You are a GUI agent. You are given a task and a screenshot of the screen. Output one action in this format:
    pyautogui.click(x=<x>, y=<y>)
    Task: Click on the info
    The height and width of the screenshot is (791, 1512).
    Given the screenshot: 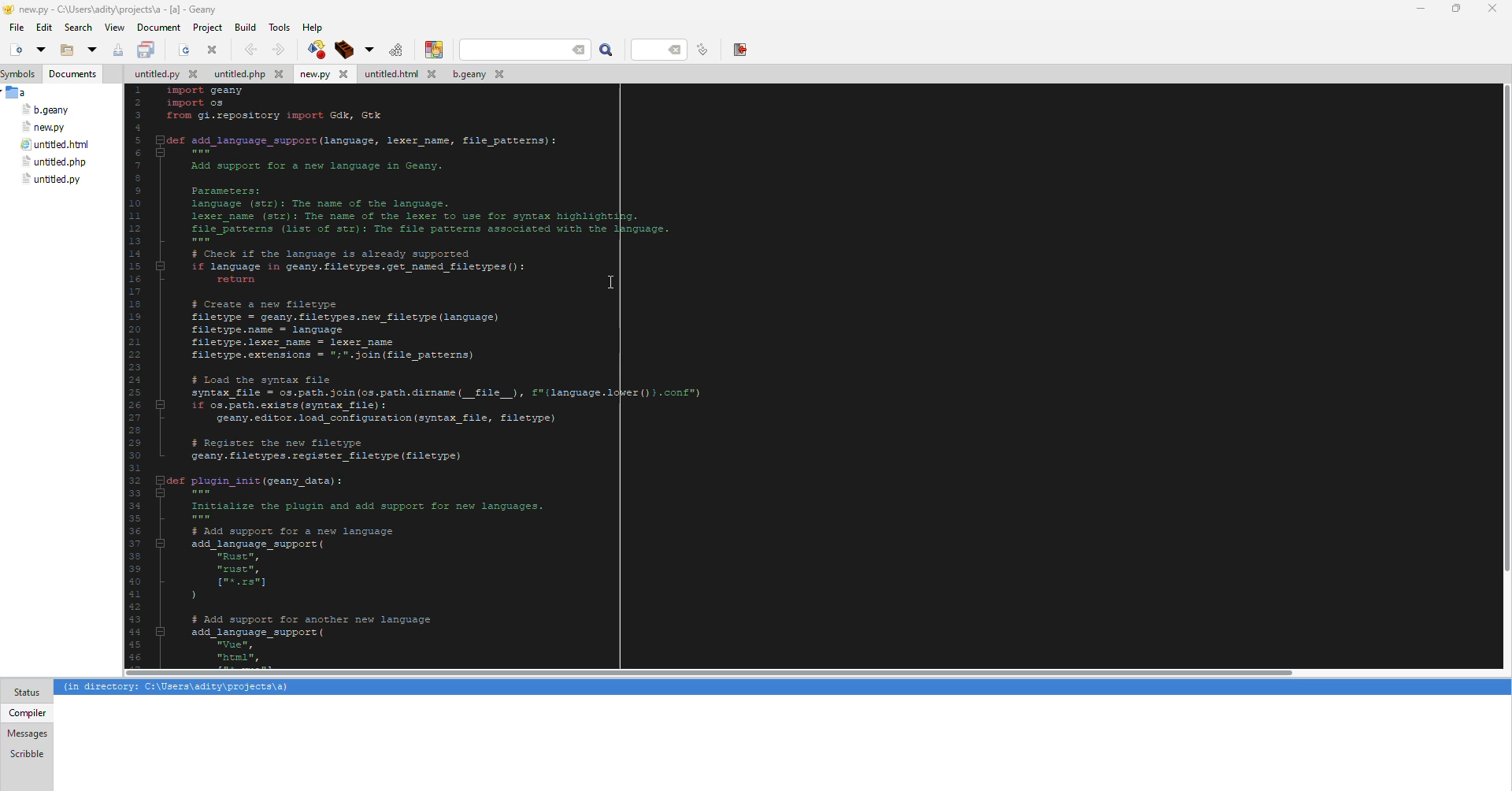 What is the action you would take?
    pyautogui.click(x=172, y=687)
    